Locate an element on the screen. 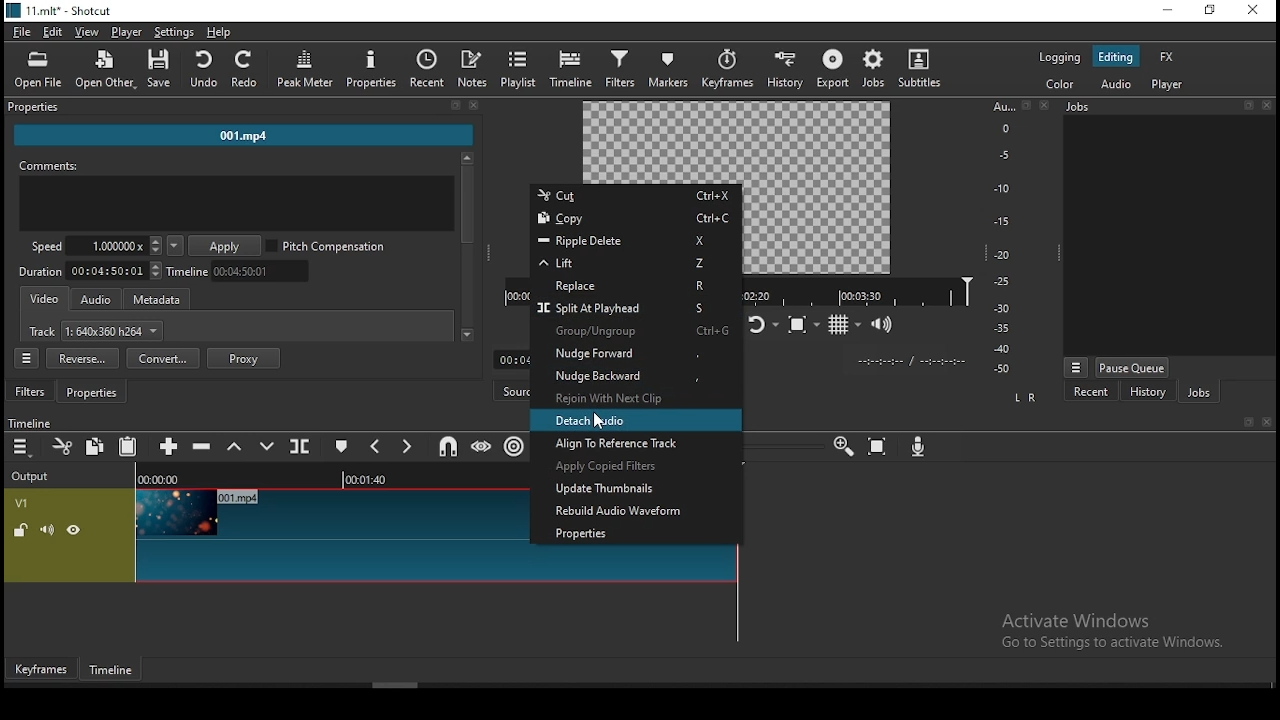 The width and height of the screenshot is (1280, 720). cut is located at coordinates (635, 194).